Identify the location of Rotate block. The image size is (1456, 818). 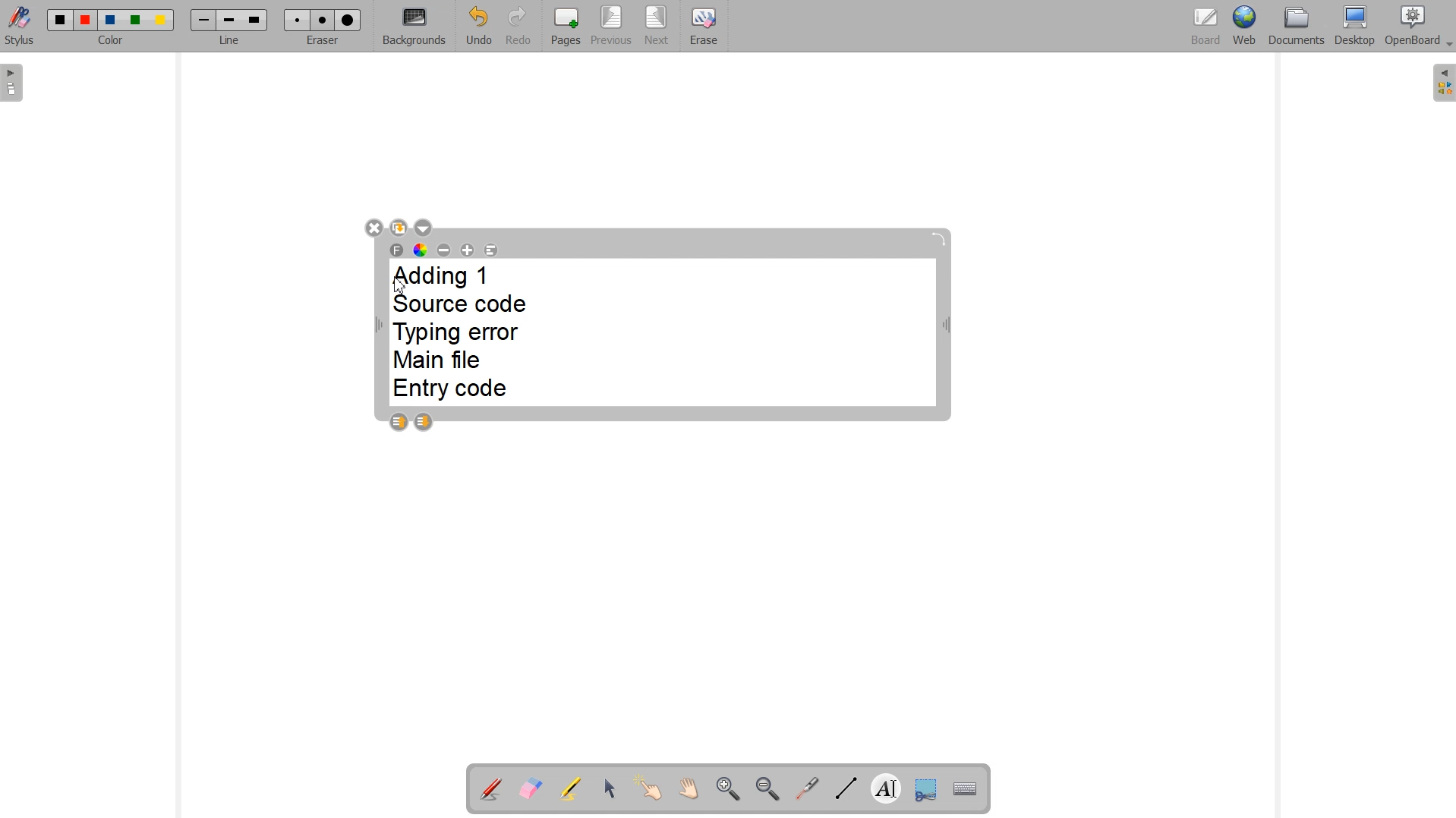
(938, 240).